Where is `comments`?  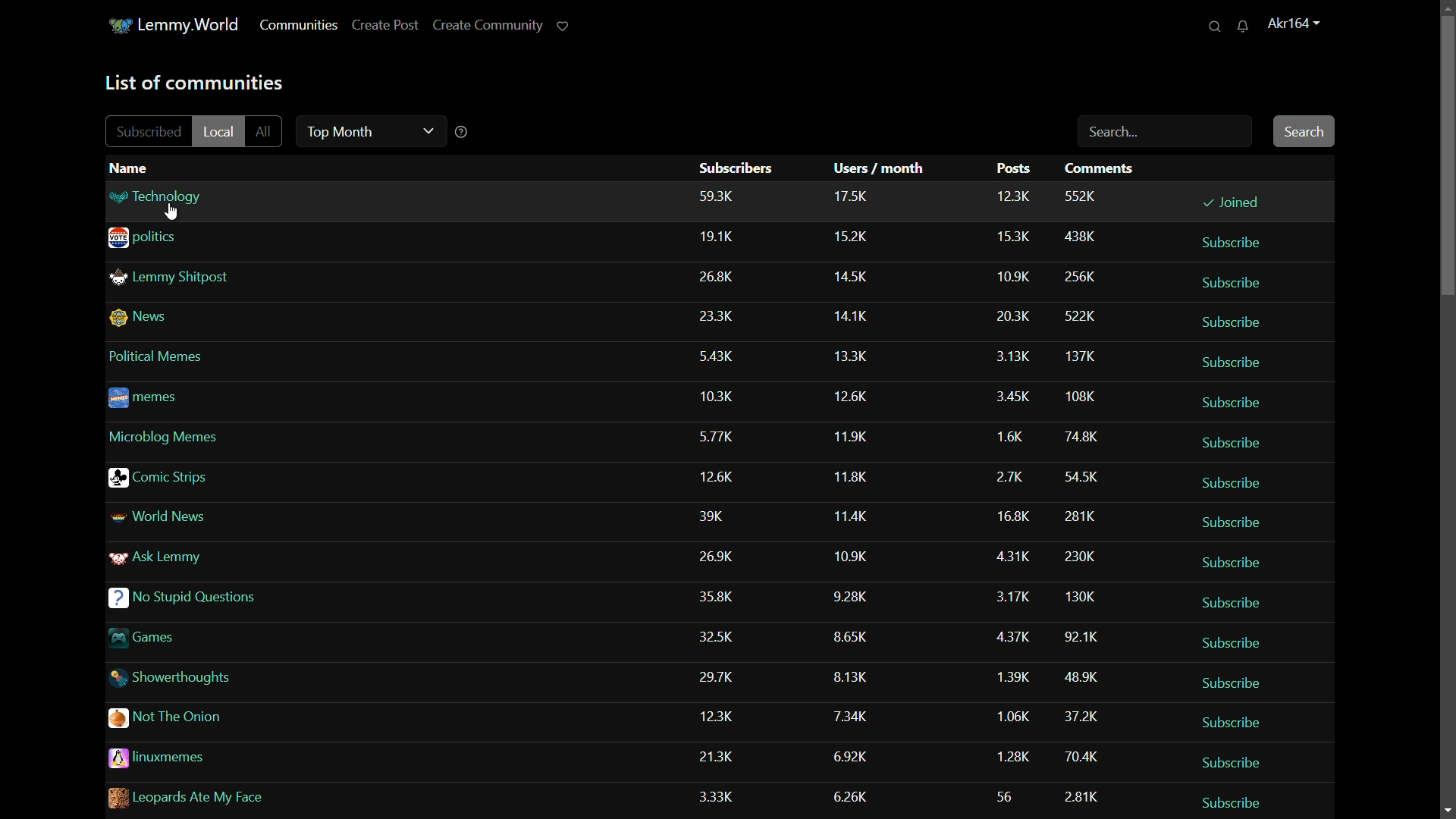 comments is located at coordinates (1103, 167).